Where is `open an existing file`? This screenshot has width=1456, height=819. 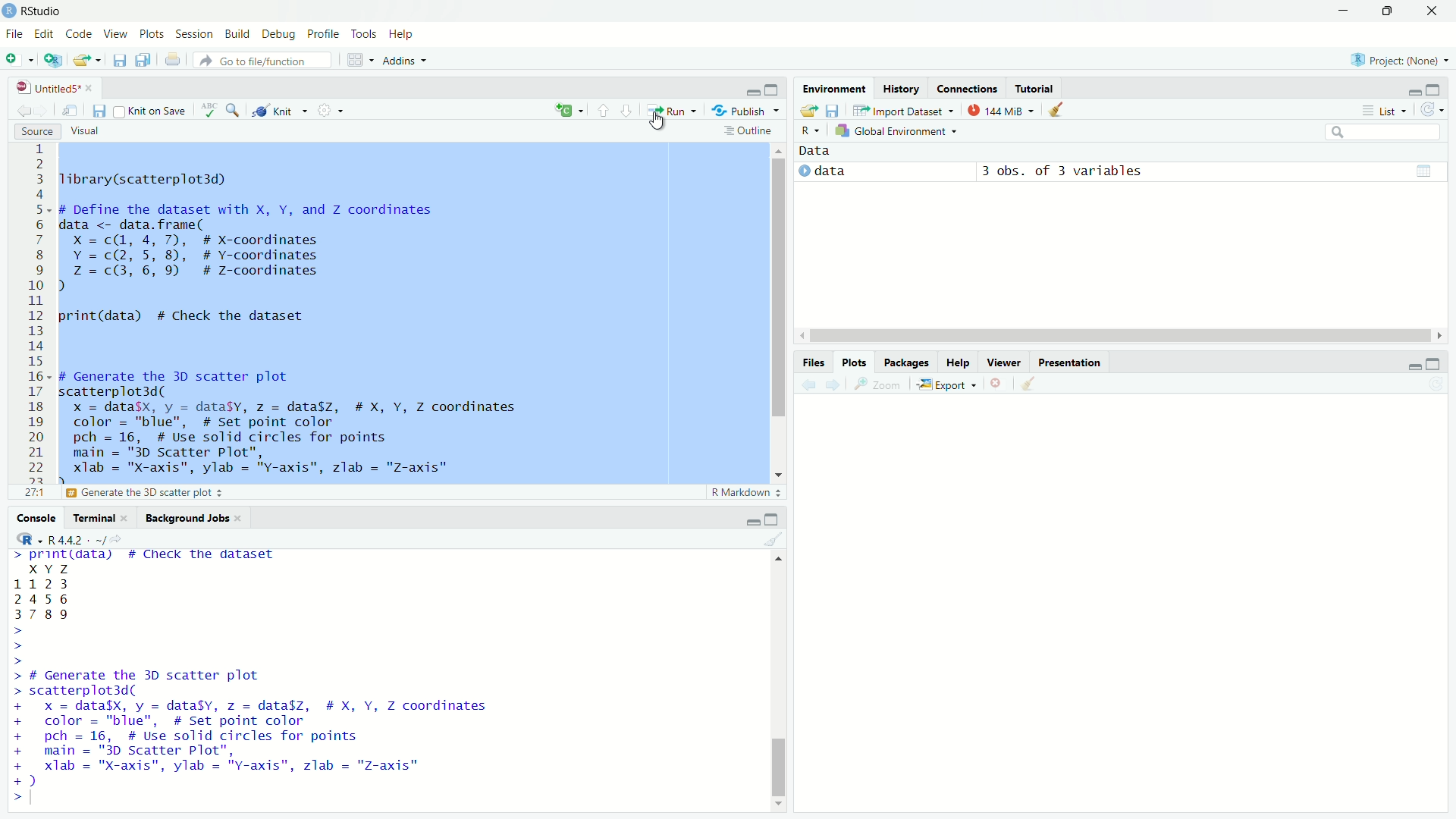 open an existing file is located at coordinates (89, 62).